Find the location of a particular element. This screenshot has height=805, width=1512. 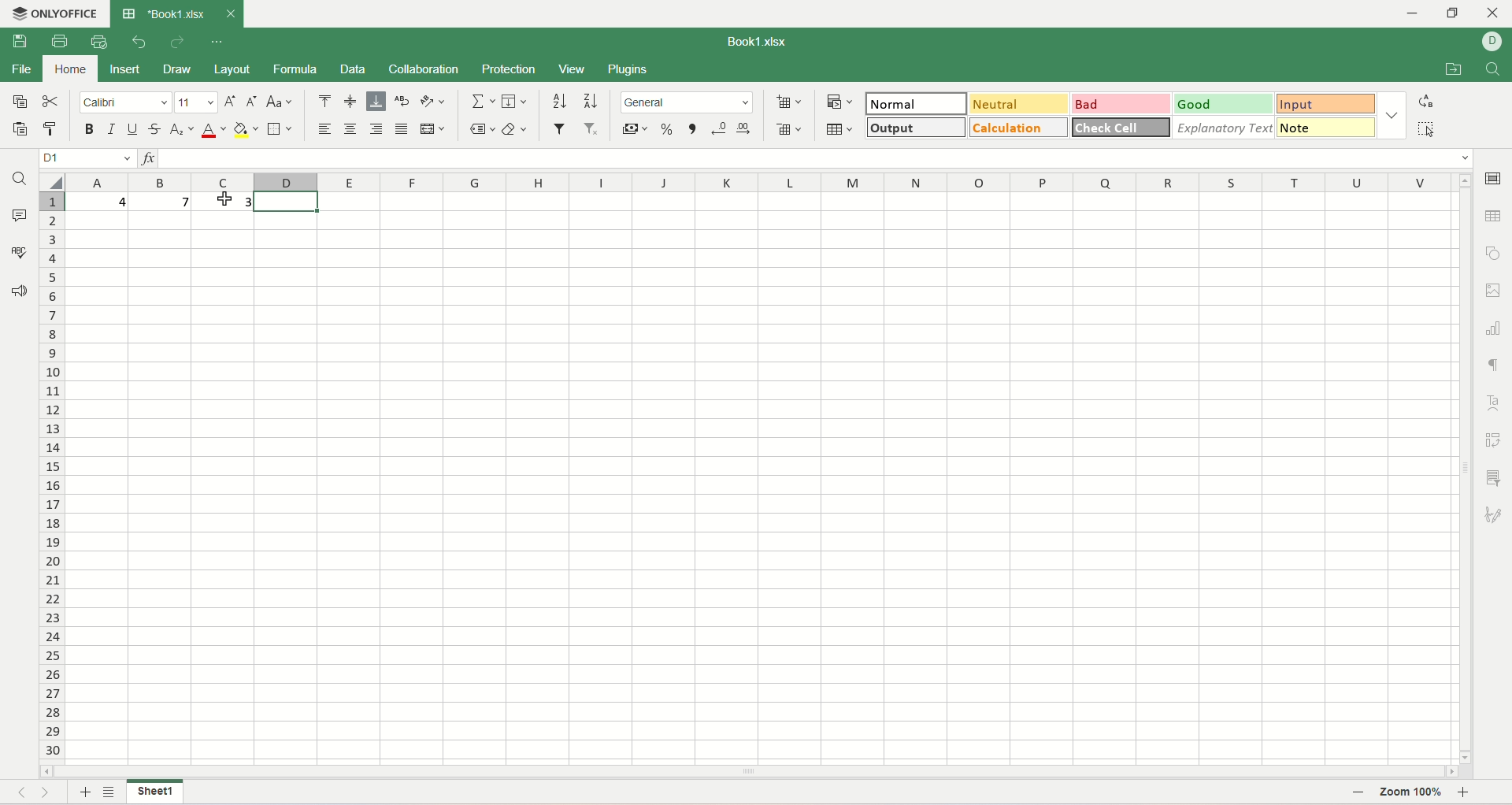

calculation is located at coordinates (1019, 127).